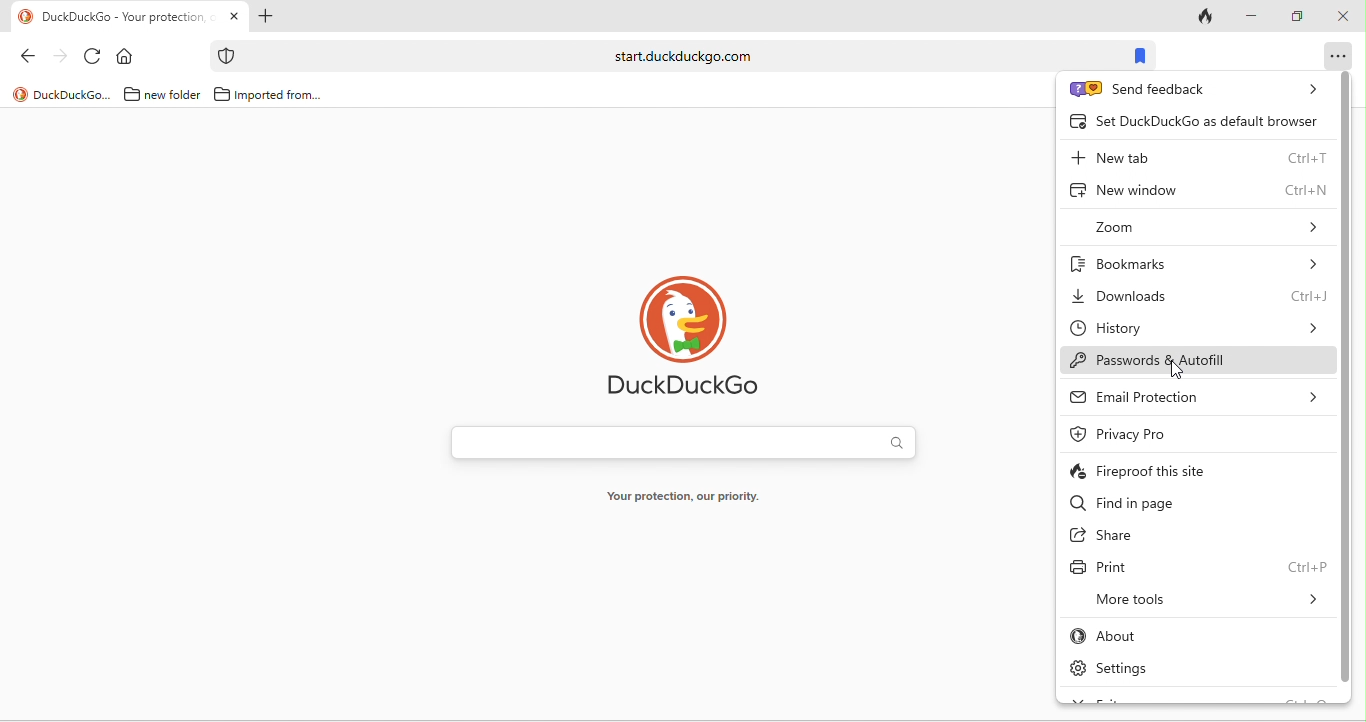 The height and width of the screenshot is (722, 1366). I want to click on maximize, so click(1299, 14).